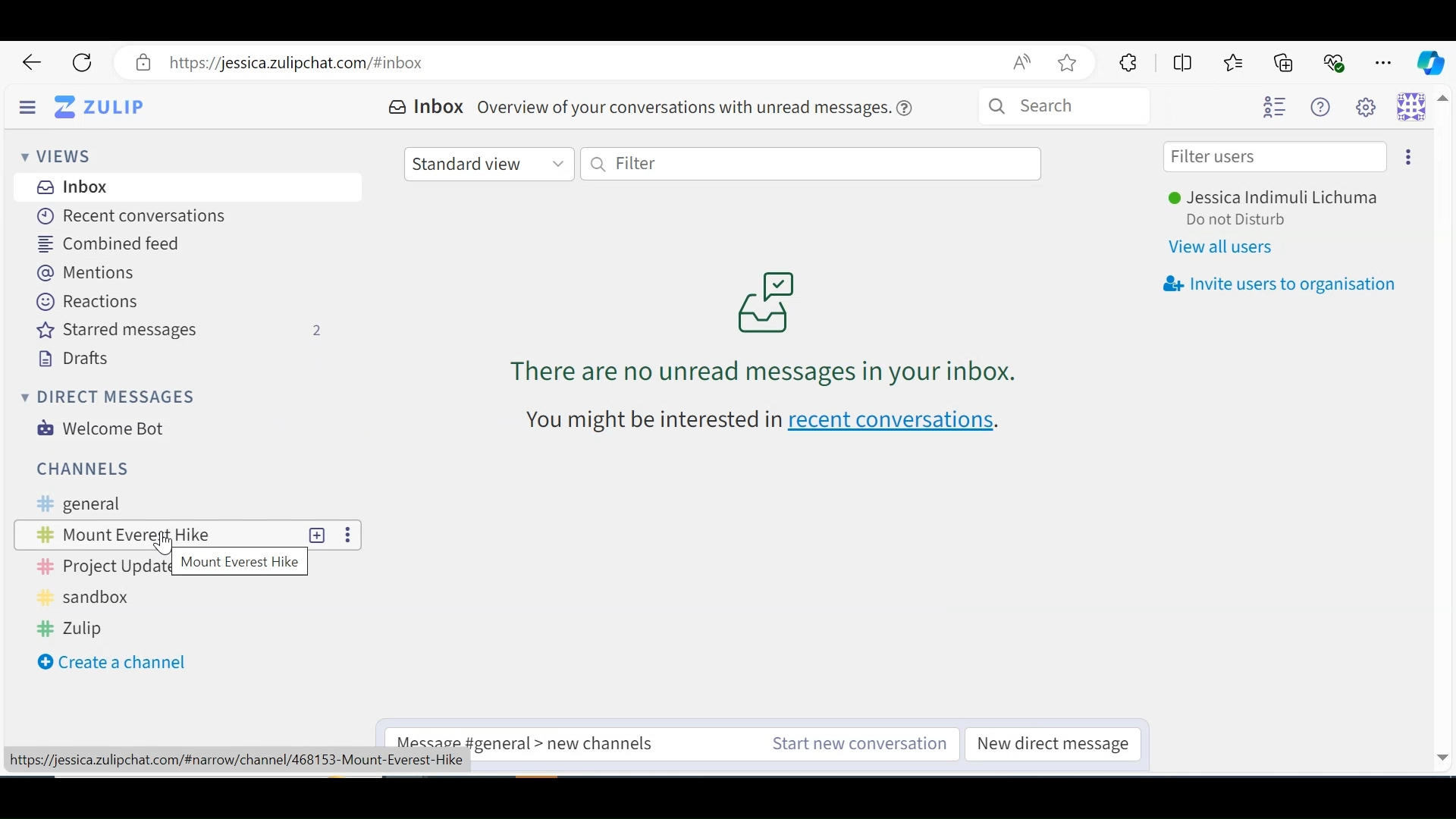 This screenshot has width=1456, height=819. What do you see at coordinates (701, 106) in the screenshot?
I see `overview` at bounding box center [701, 106].